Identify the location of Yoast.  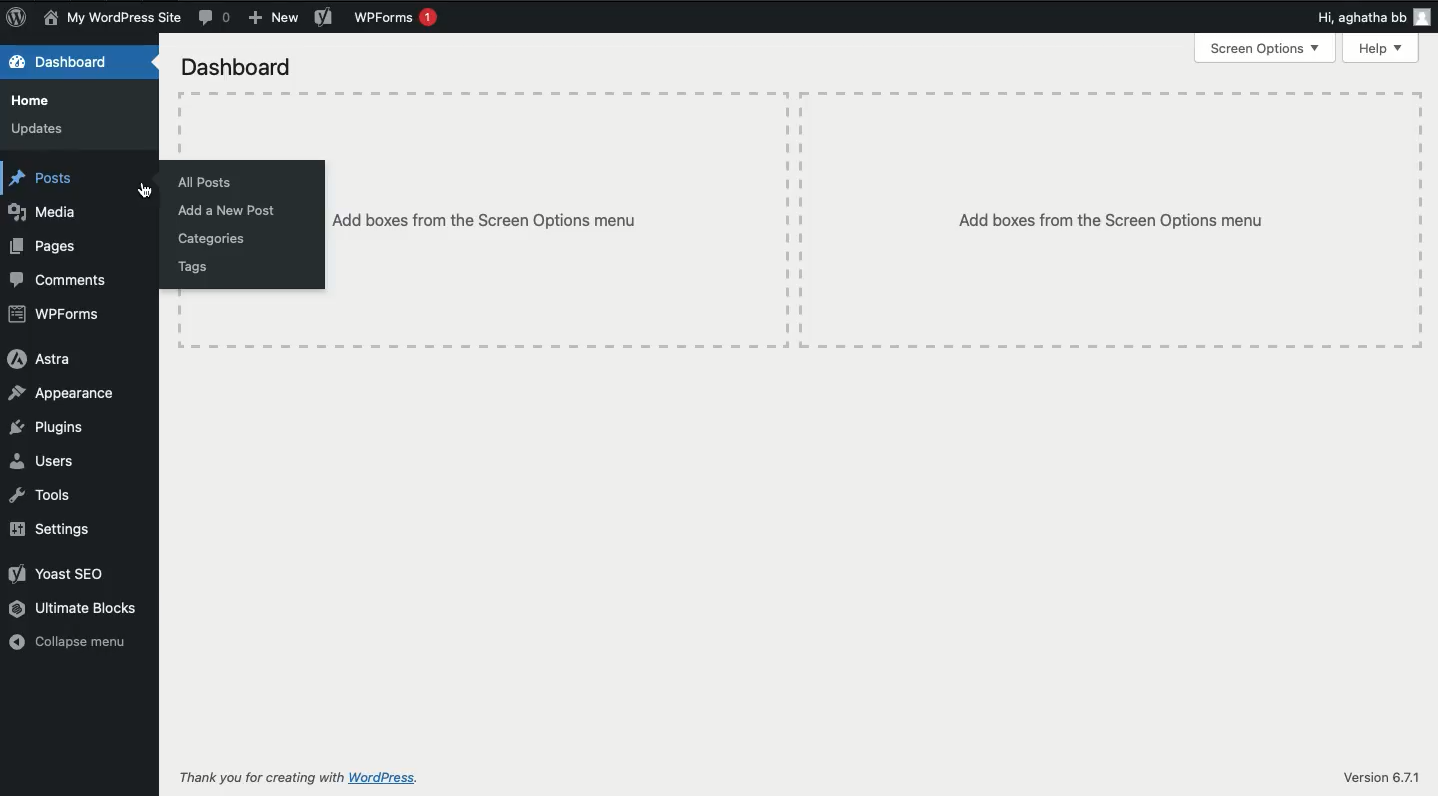
(323, 18).